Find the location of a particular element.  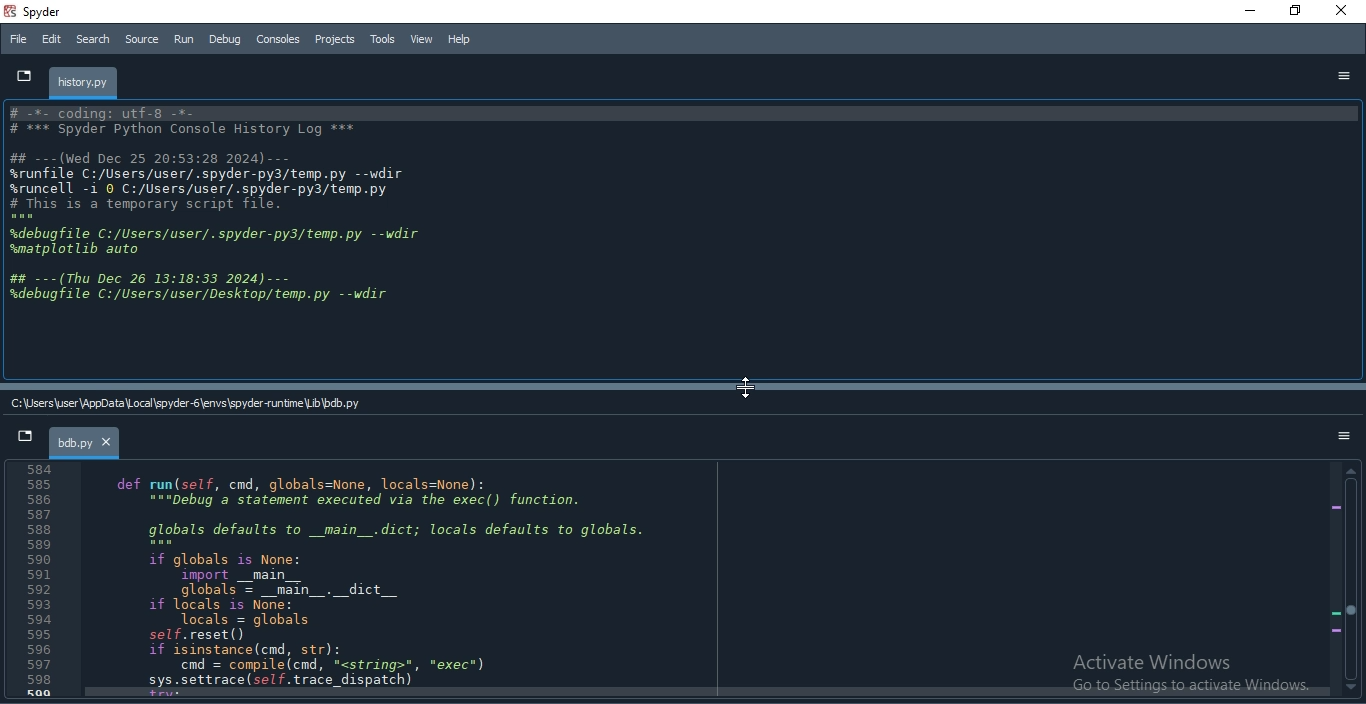

C:\Users\user \AppData | ocal \spyder-6 \envs\spyder runtime \Lib\bdb.py is located at coordinates (193, 405).